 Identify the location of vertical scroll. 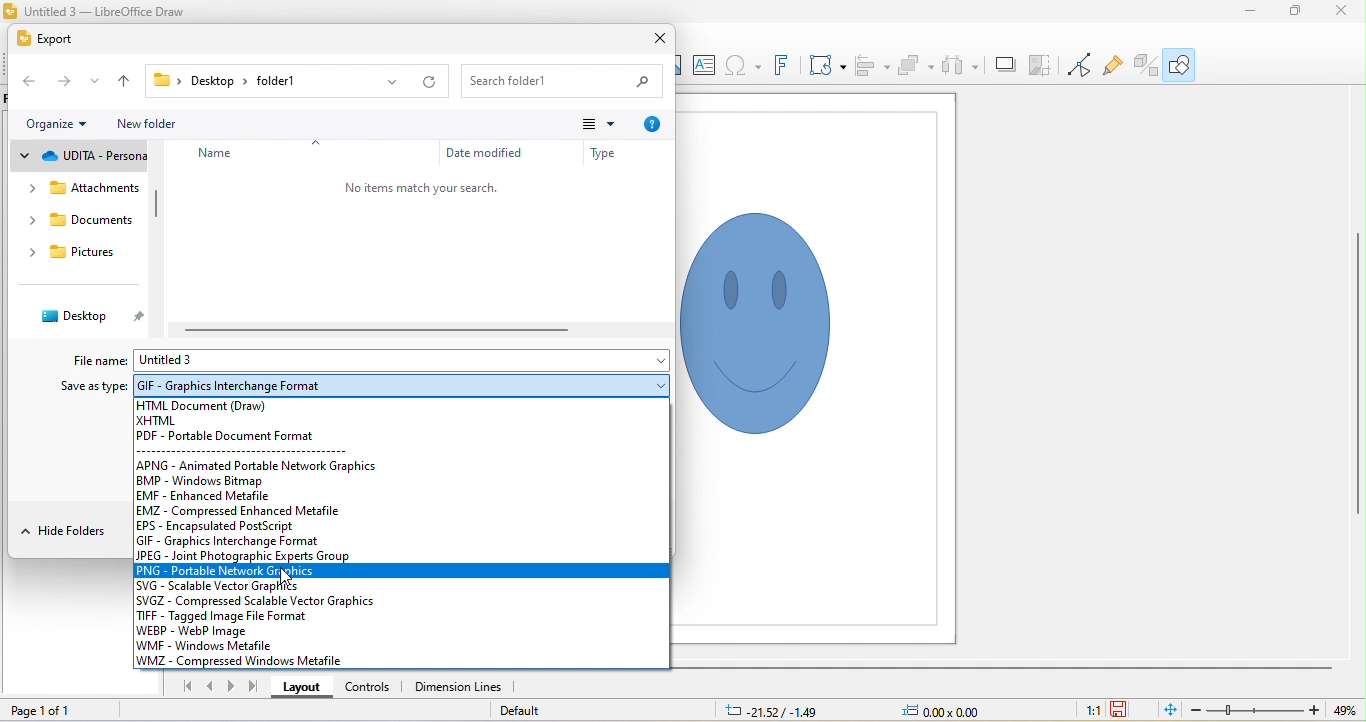
(1351, 380).